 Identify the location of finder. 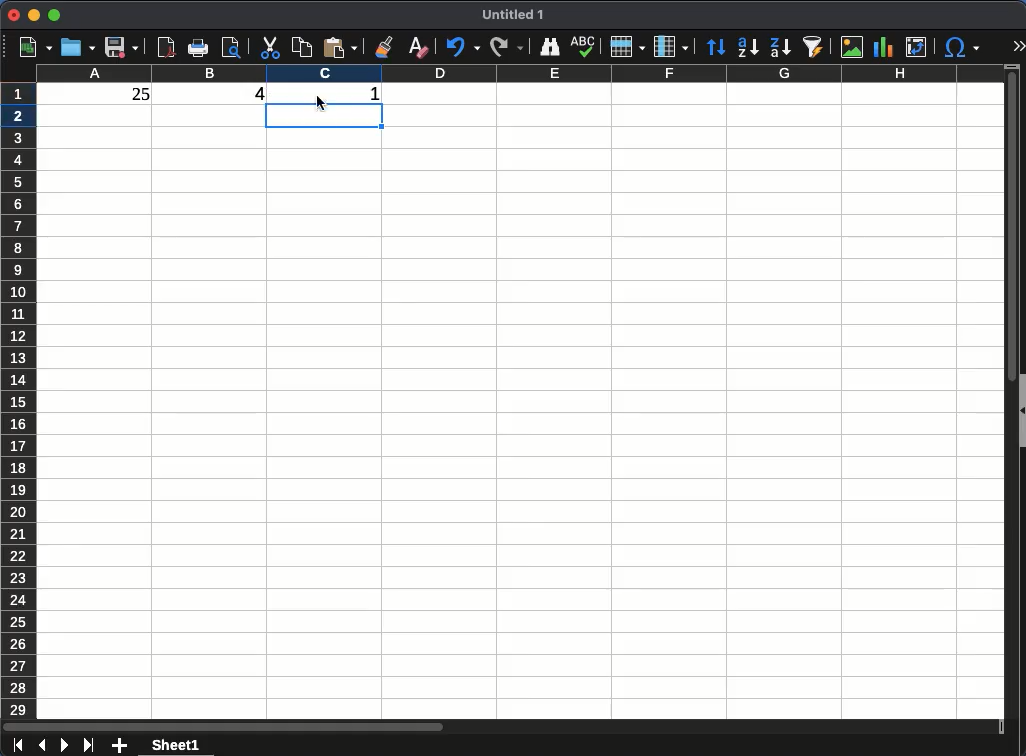
(550, 46).